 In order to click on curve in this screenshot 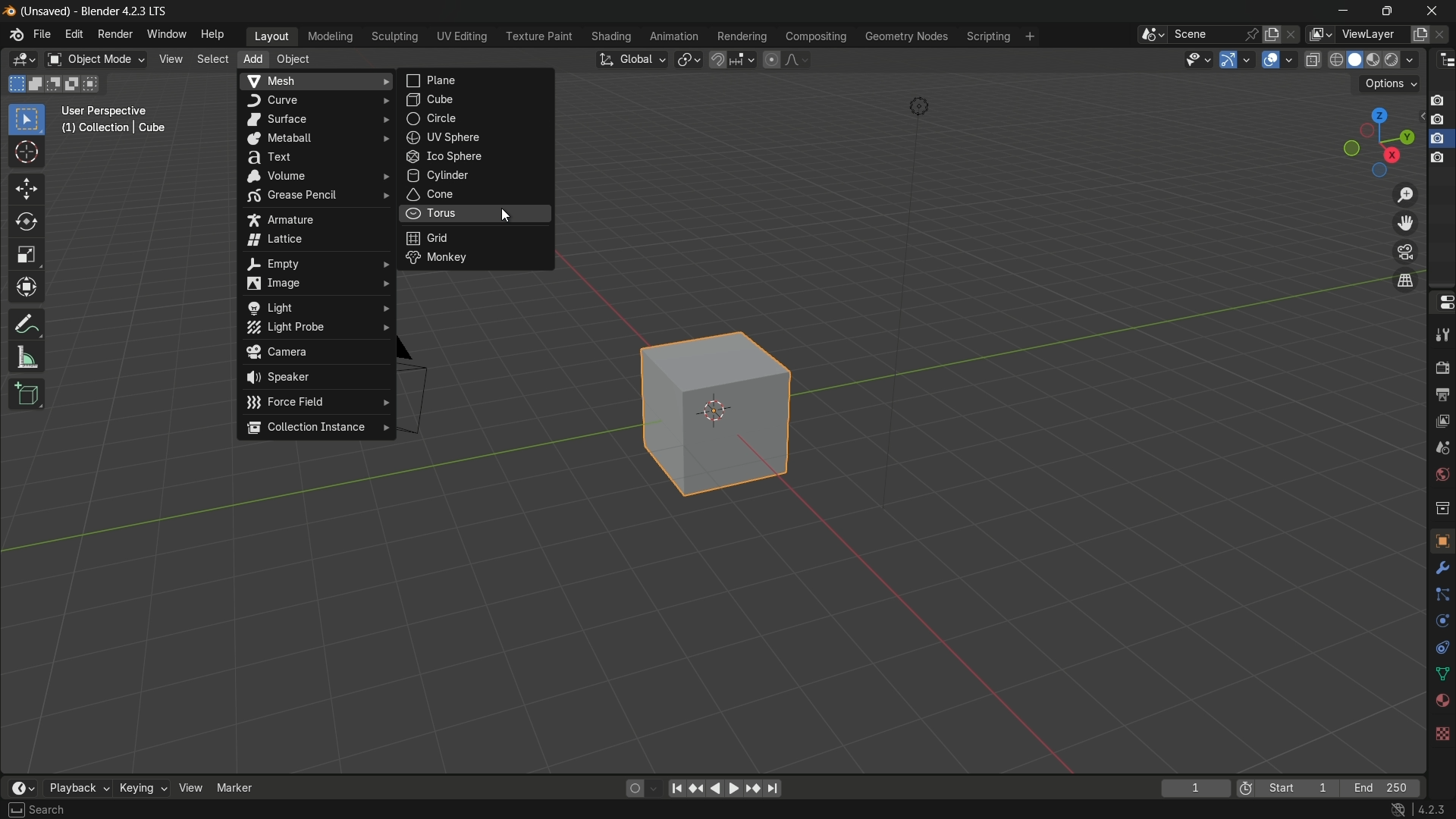, I will do `click(315, 100)`.